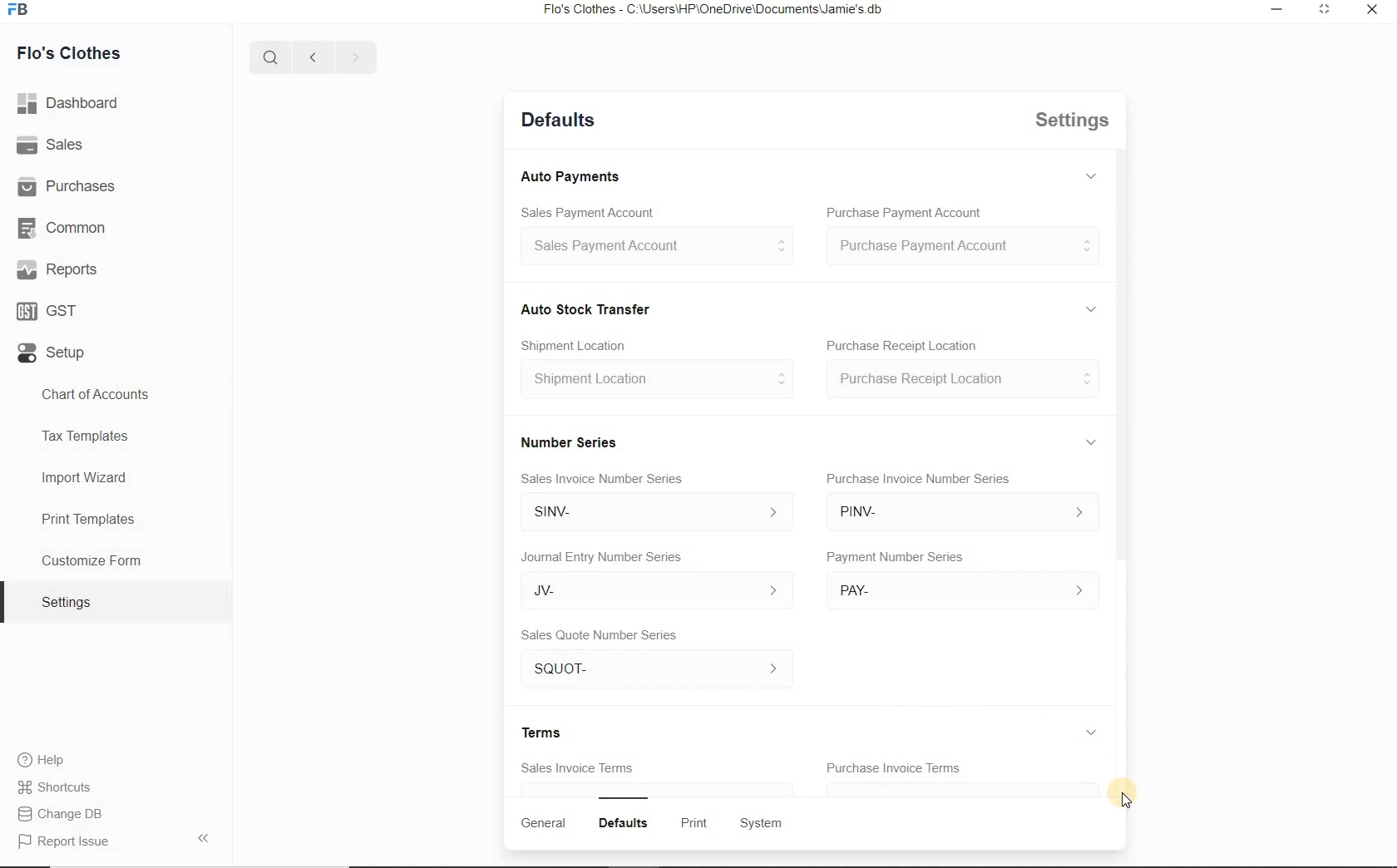 This screenshot has width=1397, height=868. What do you see at coordinates (960, 515) in the screenshot?
I see ` PINV-` at bounding box center [960, 515].